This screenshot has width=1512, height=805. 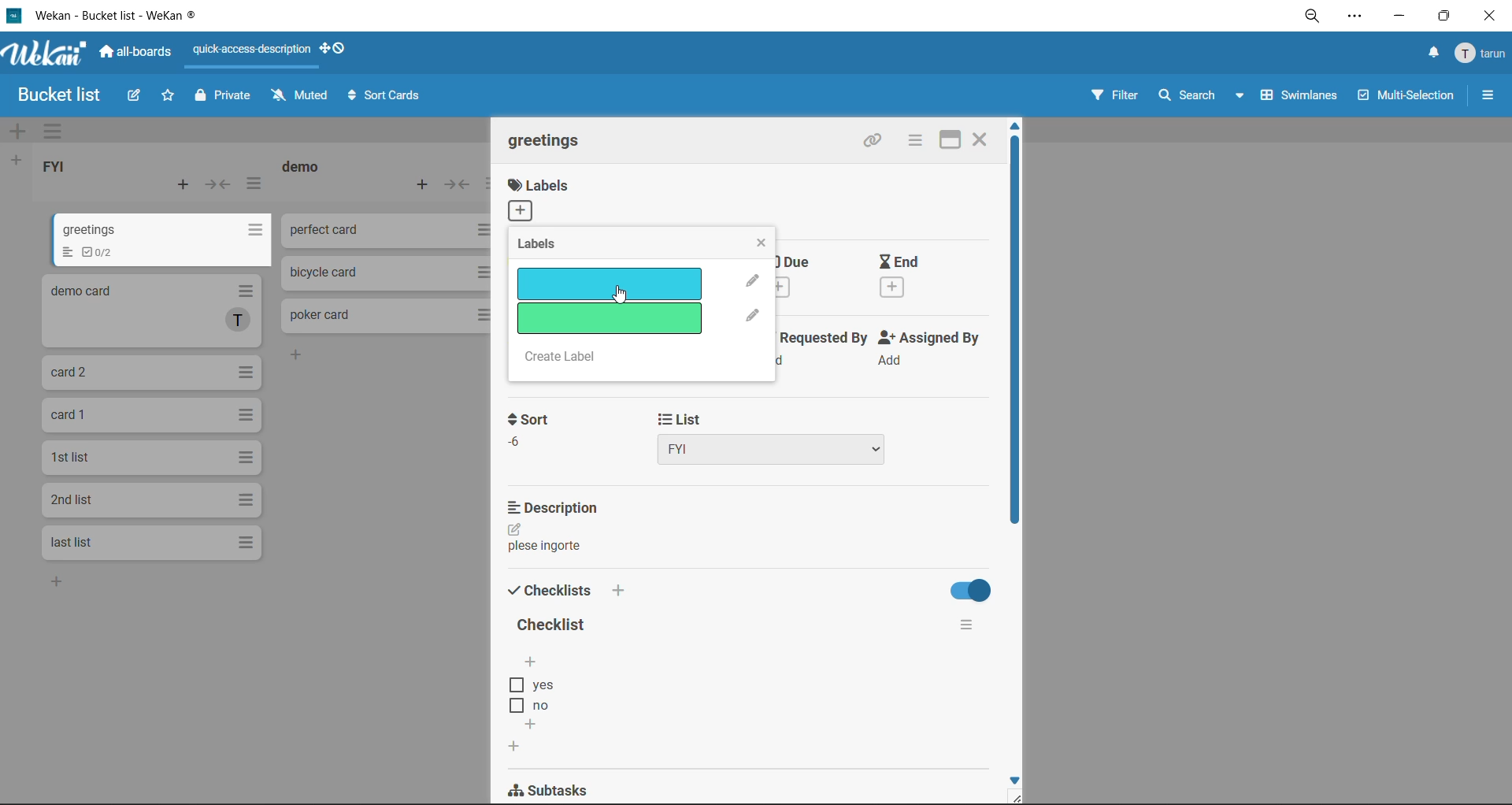 I want to click on add list, so click(x=17, y=161).